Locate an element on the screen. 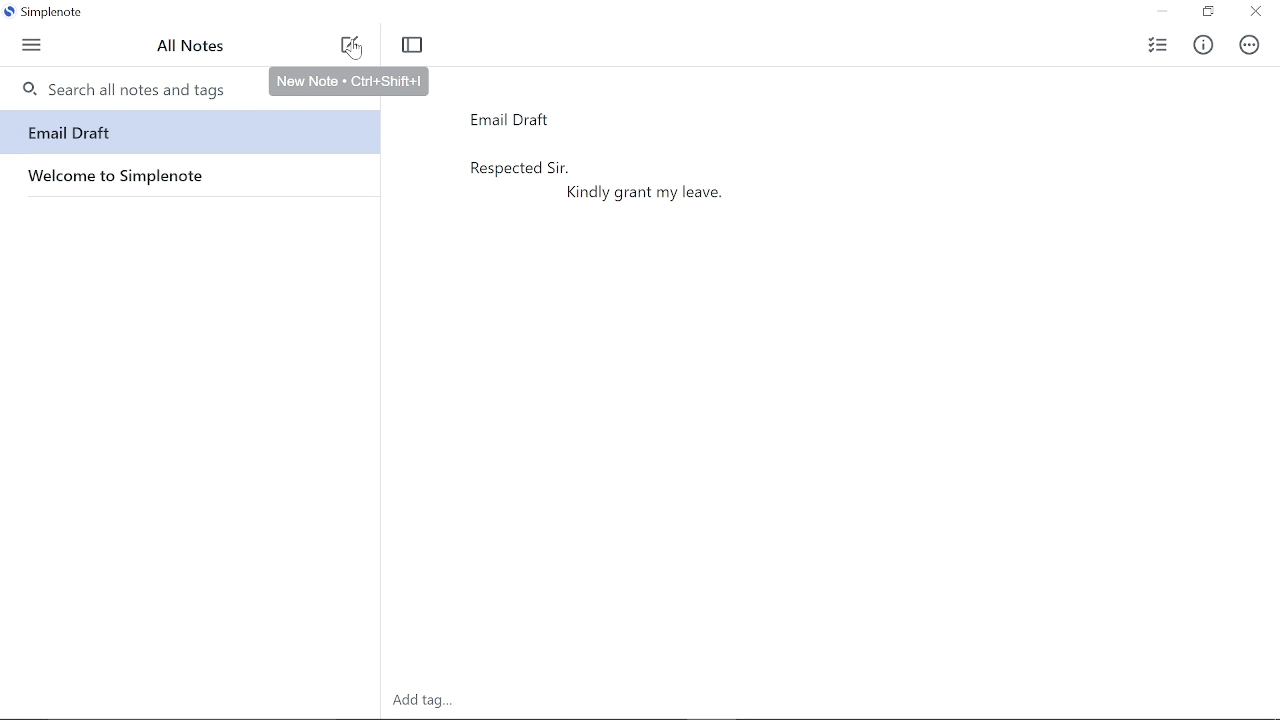  Title of the current note is located at coordinates (646, 121).